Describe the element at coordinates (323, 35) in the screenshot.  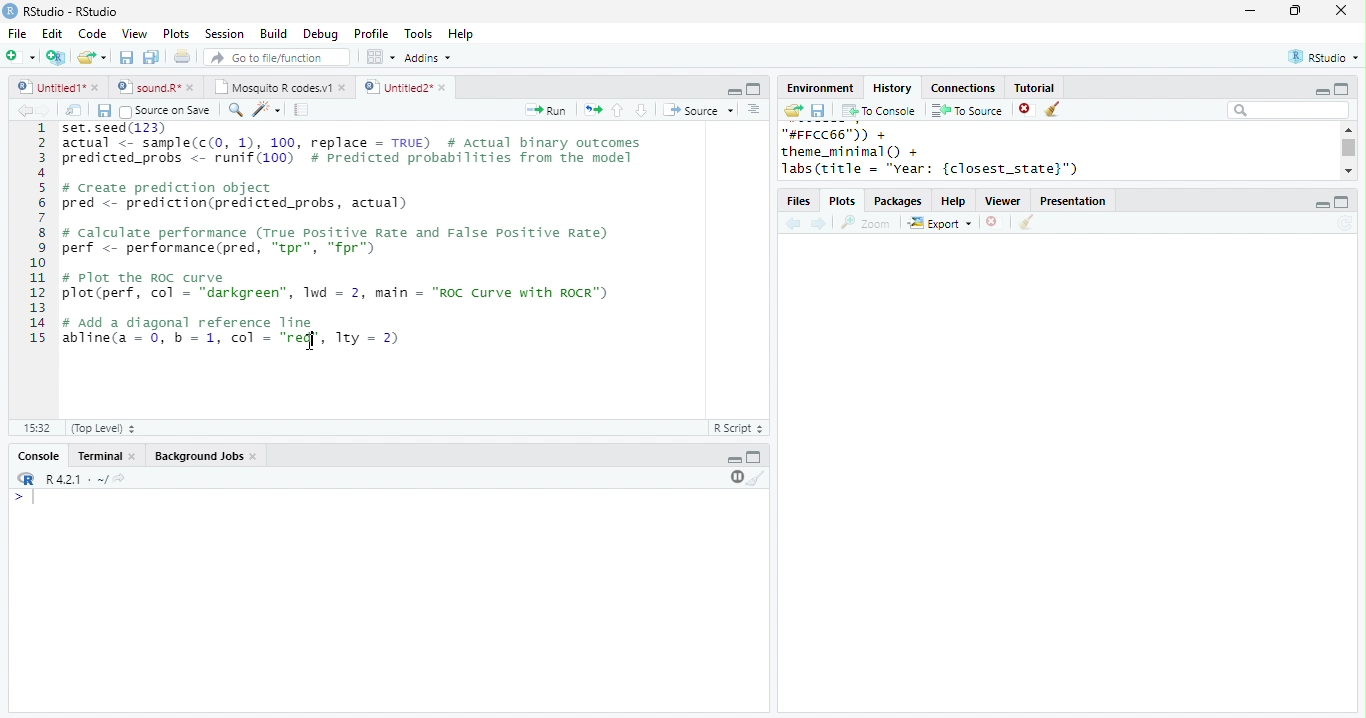
I see `Debug` at that location.